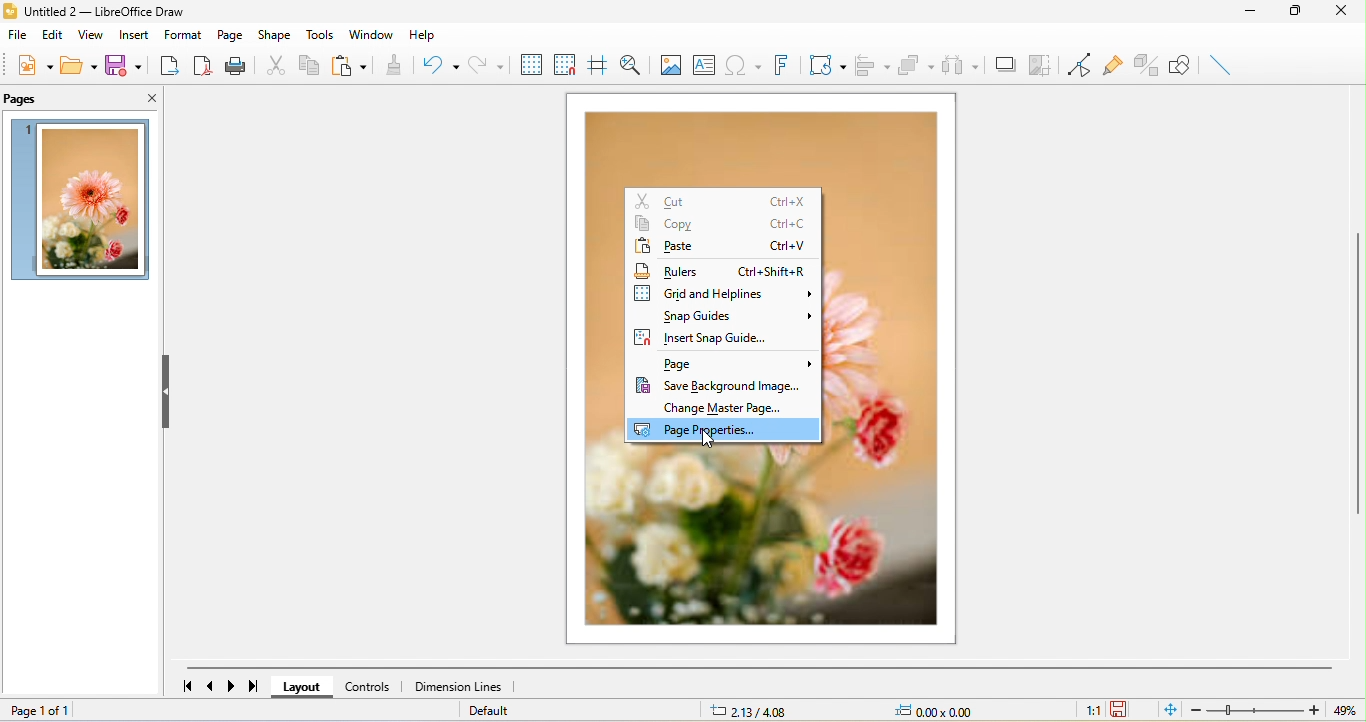 The width and height of the screenshot is (1366, 722). I want to click on clone formatting, so click(393, 64).